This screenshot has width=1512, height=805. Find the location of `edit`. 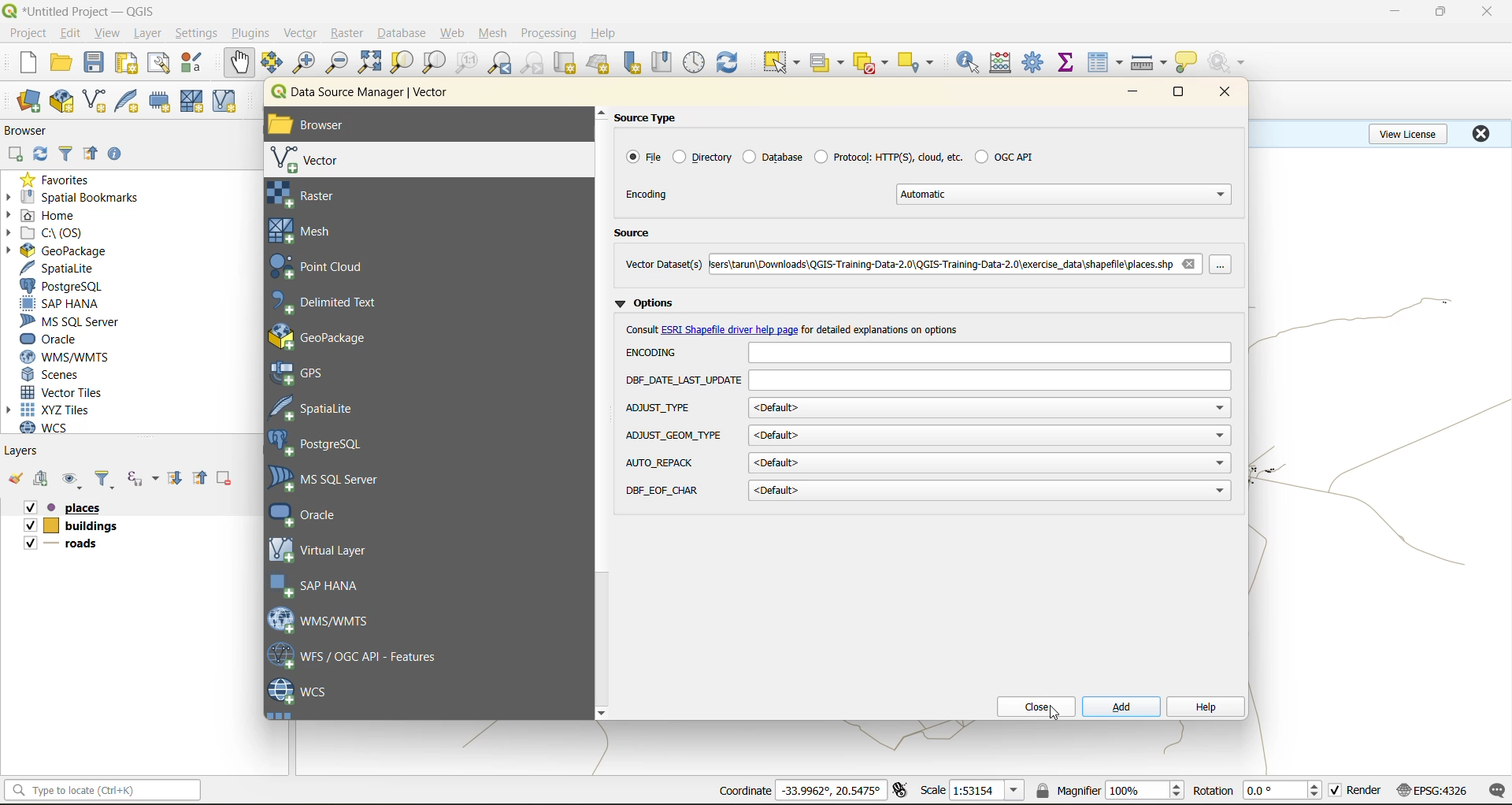

edit is located at coordinates (71, 35).